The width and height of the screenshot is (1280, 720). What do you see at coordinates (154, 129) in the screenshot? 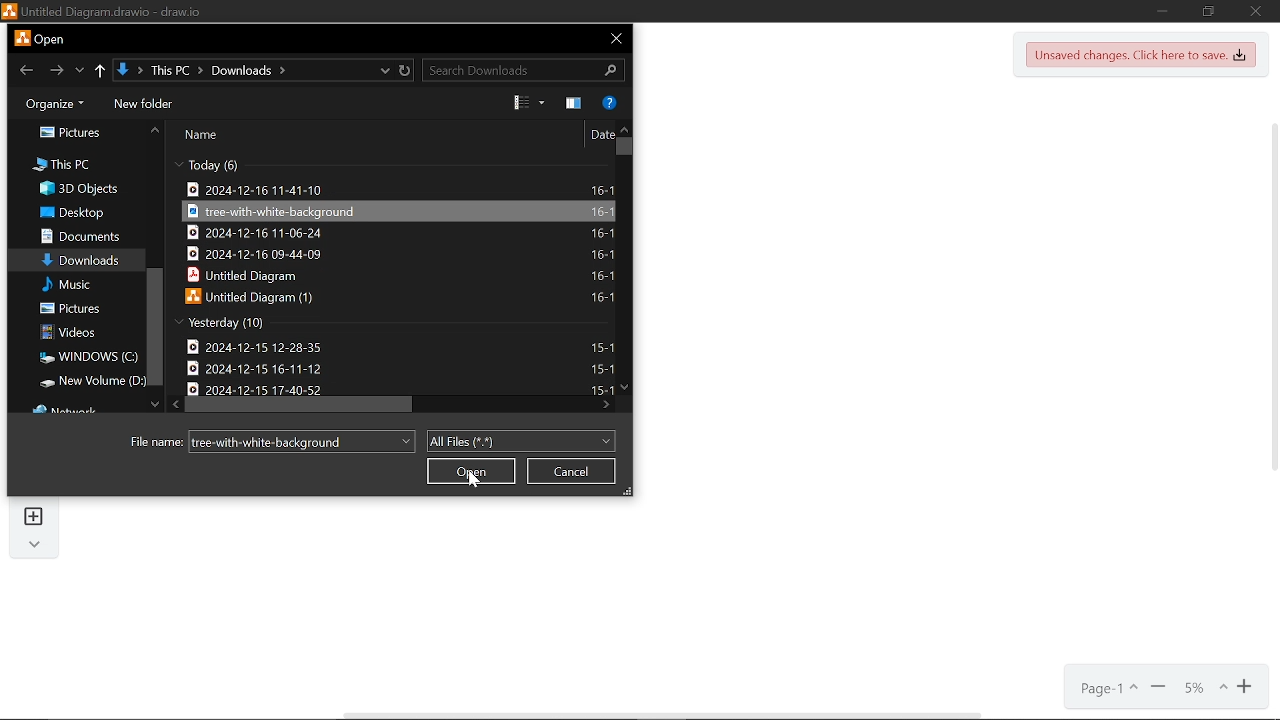
I see `Move up in folders` at bounding box center [154, 129].